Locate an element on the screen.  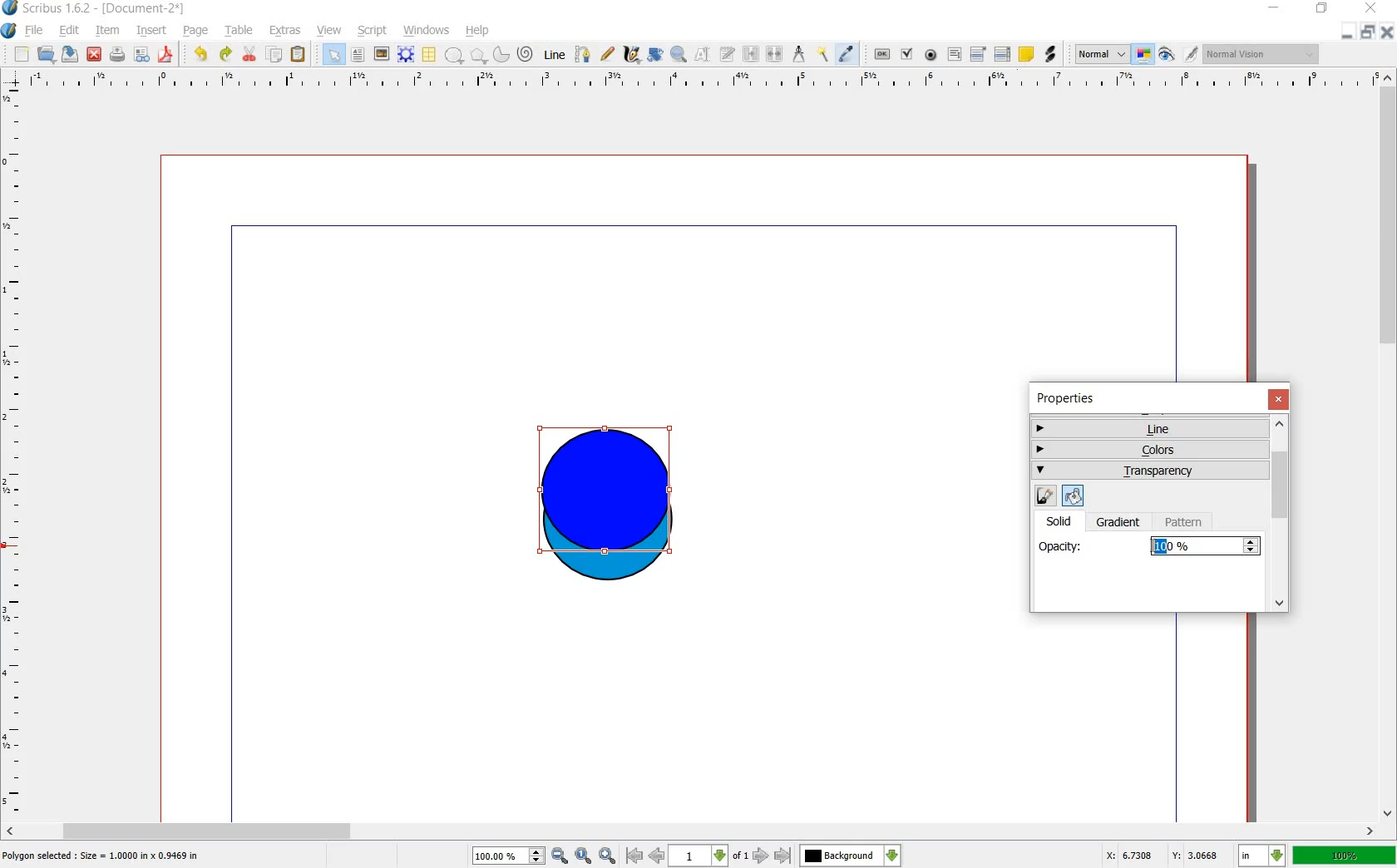
Background is located at coordinates (851, 856).